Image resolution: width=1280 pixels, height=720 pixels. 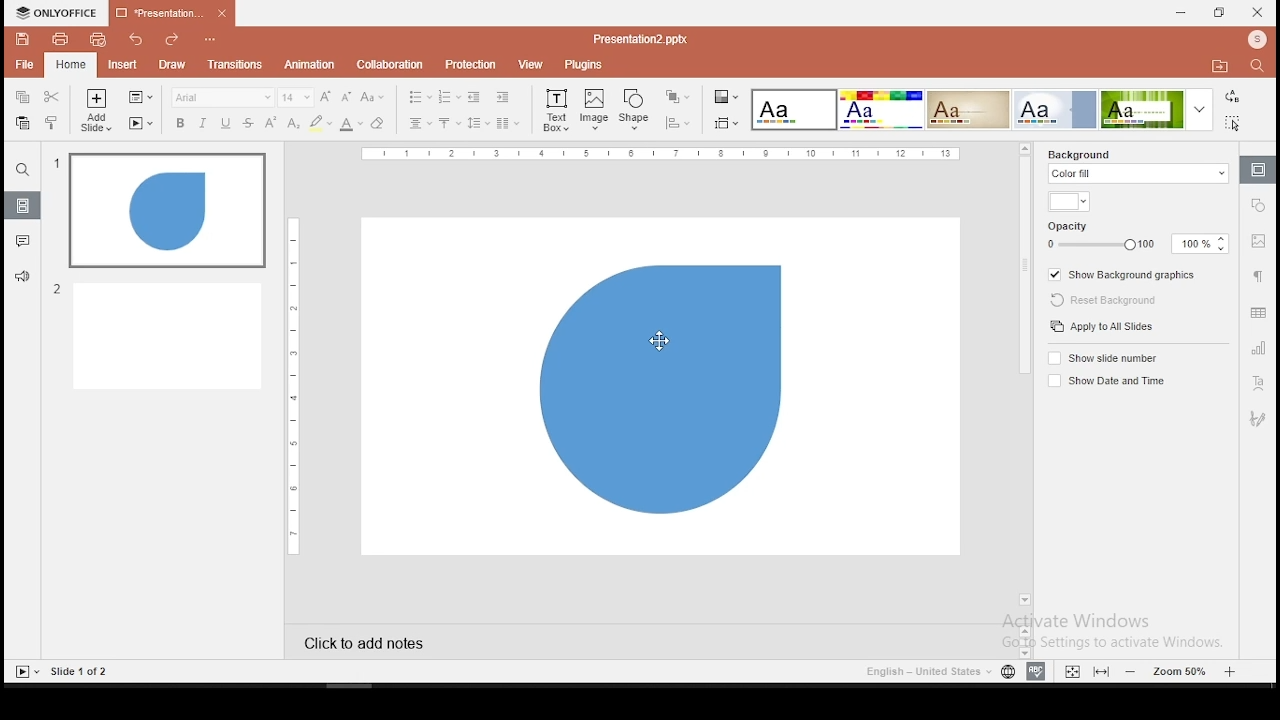 I want to click on horizontal scale, so click(x=664, y=153).